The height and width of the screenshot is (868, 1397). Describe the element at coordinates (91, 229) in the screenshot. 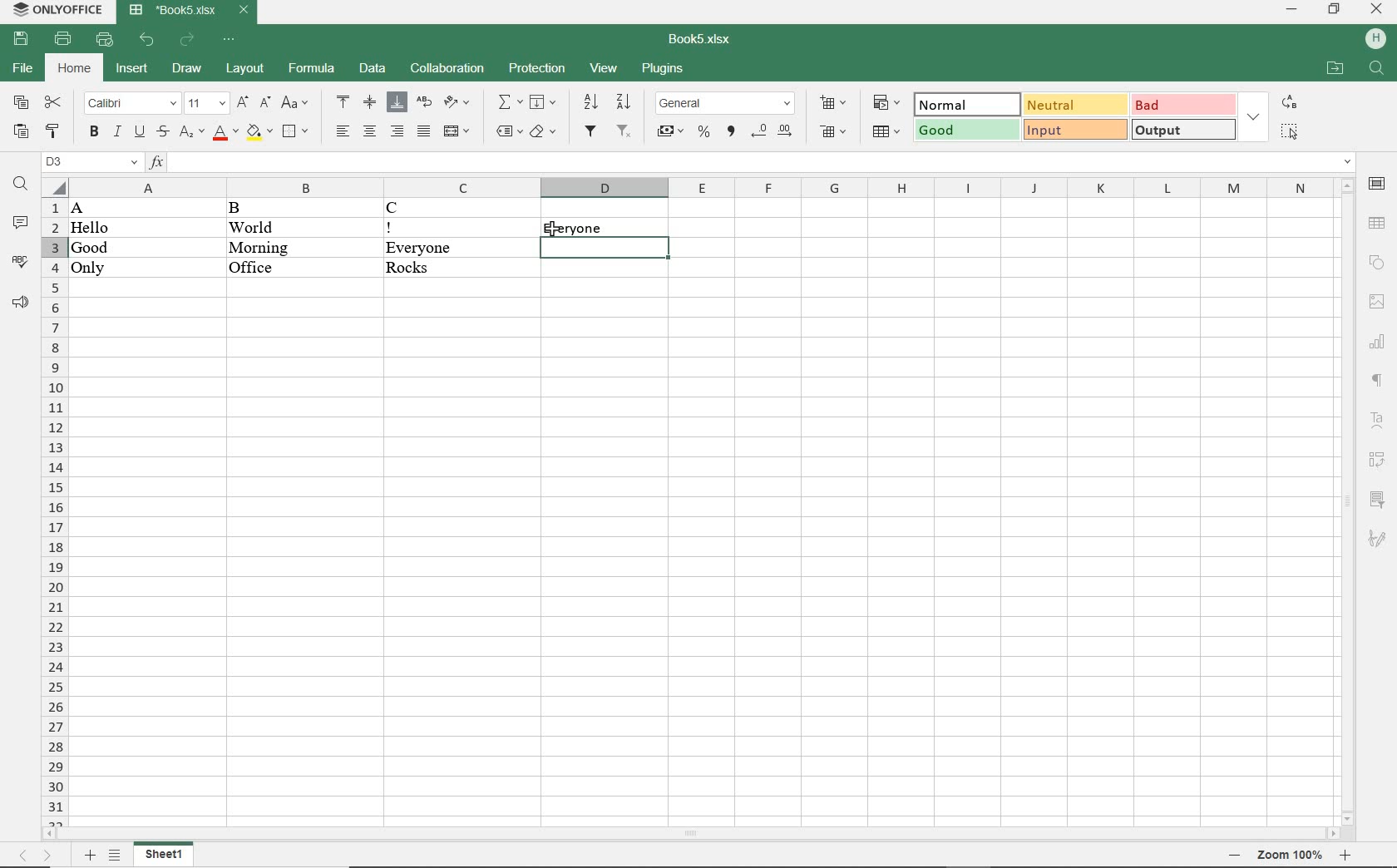

I see `Hello` at that location.